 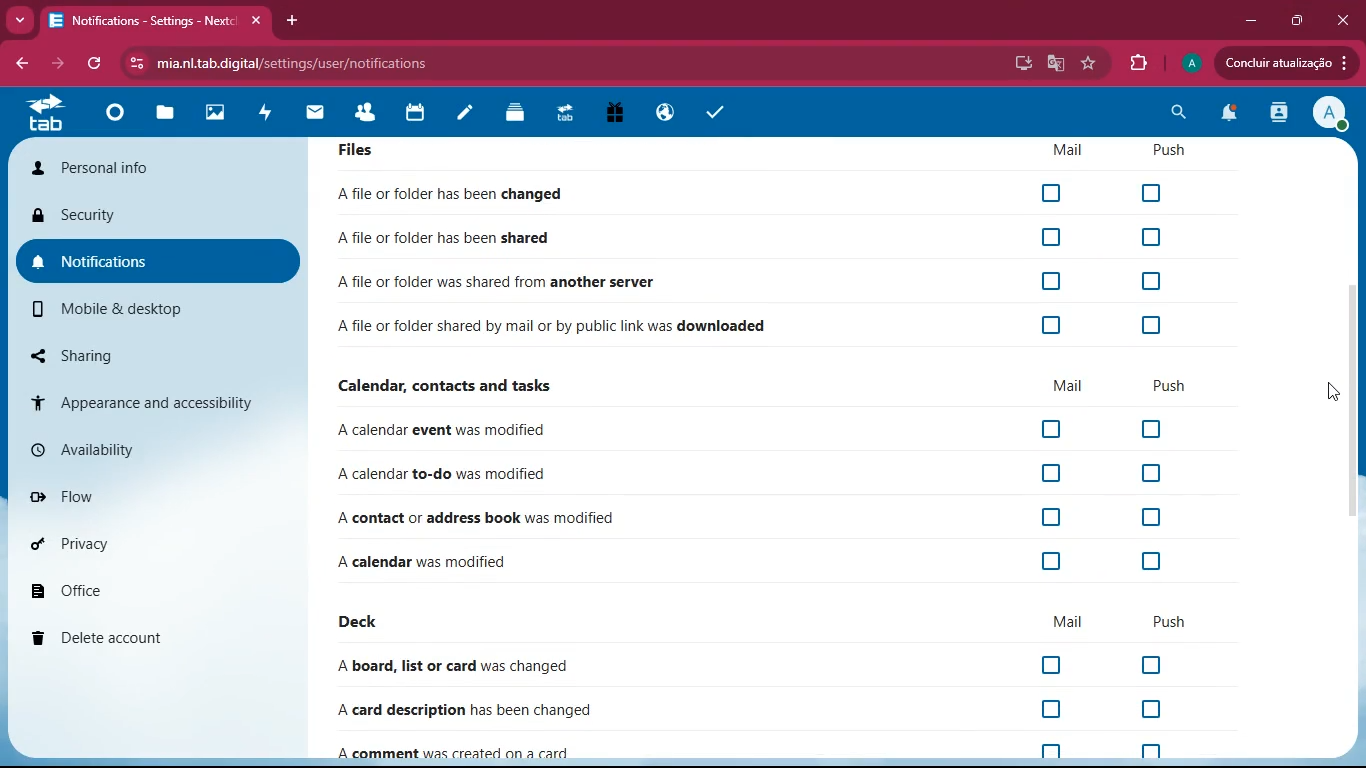 What do you see at coordinates (473, 708) in the screenshot?
I see `card description` at bounding box center [473, 708].